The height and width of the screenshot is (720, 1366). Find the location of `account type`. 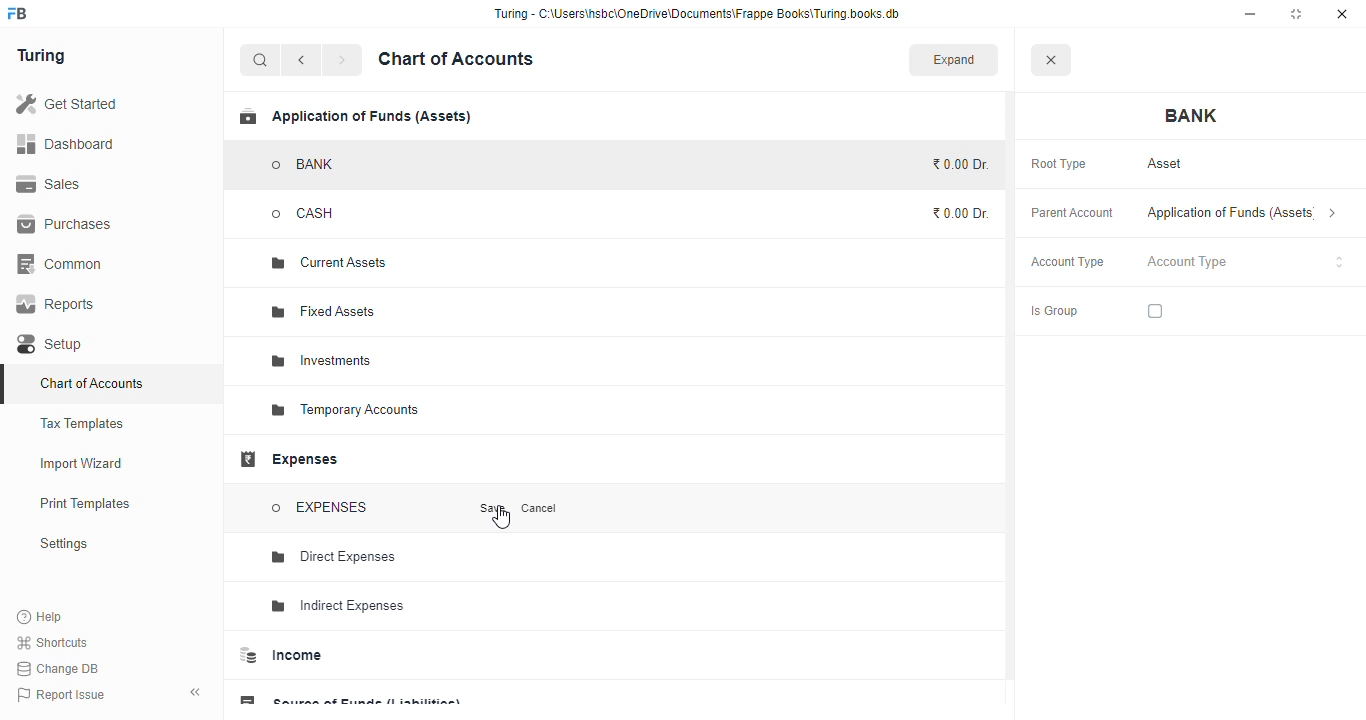

account type is located at coordinates (1068, 262).